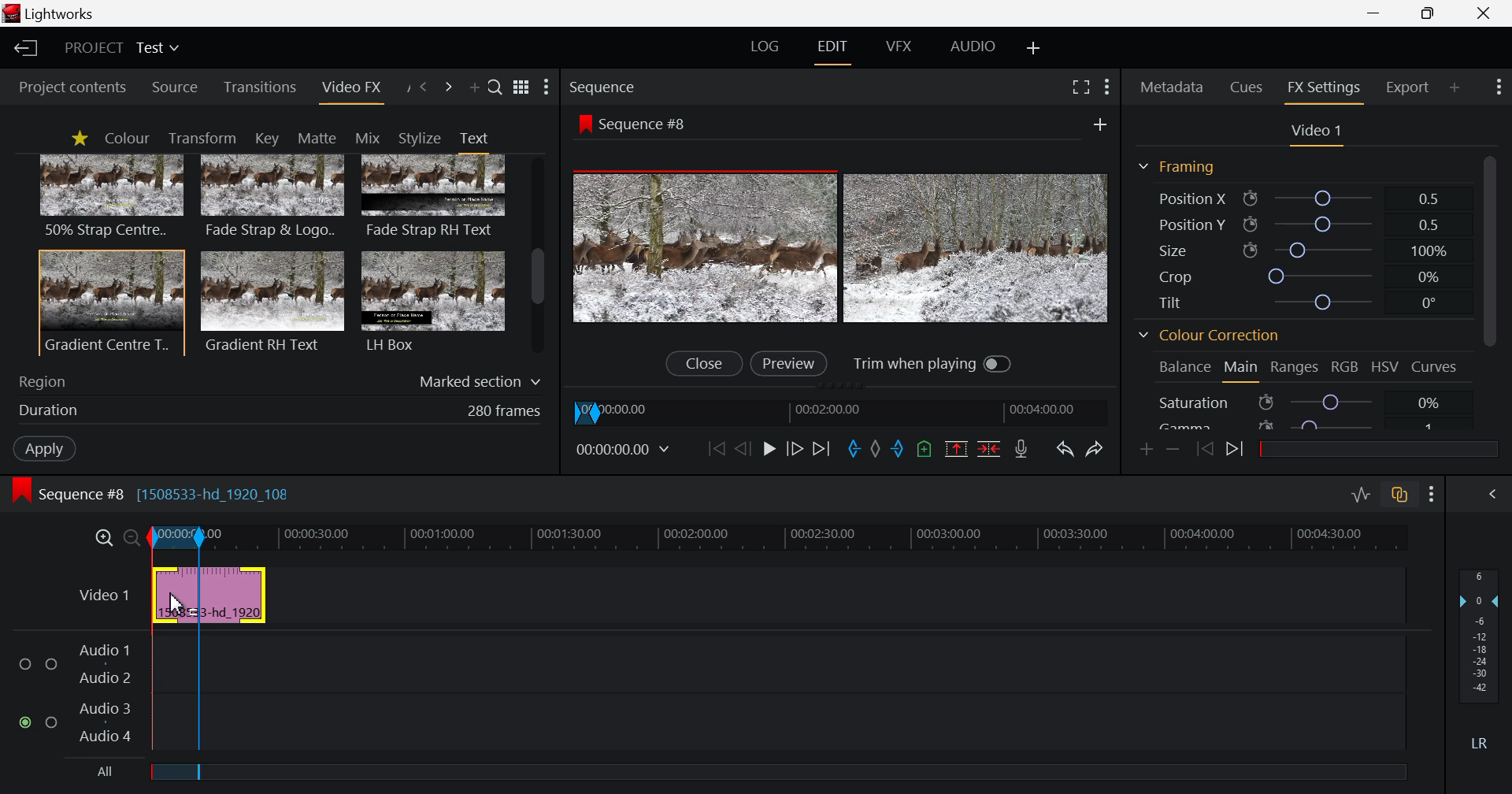  Describe the element at coordinates (102, 592) in the screenshot. I see `Video Layer` at that location.